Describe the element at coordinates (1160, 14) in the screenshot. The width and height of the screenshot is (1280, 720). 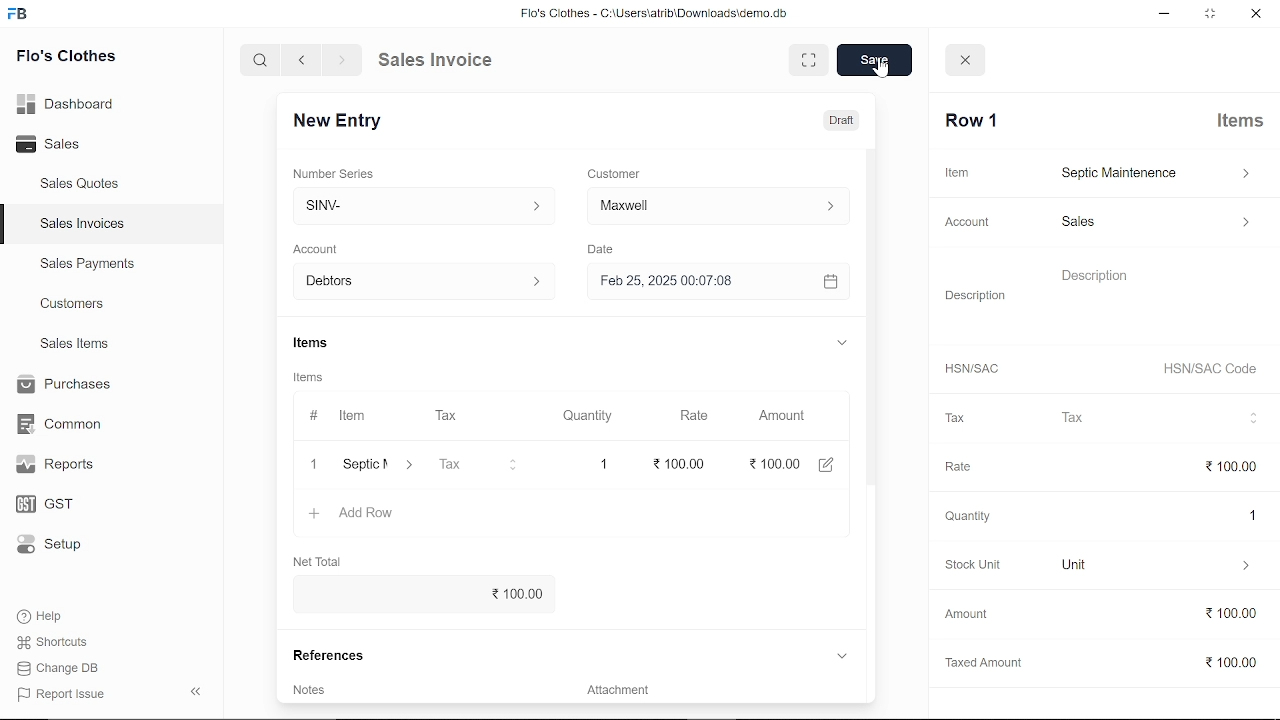
I see `minimize` at that location.